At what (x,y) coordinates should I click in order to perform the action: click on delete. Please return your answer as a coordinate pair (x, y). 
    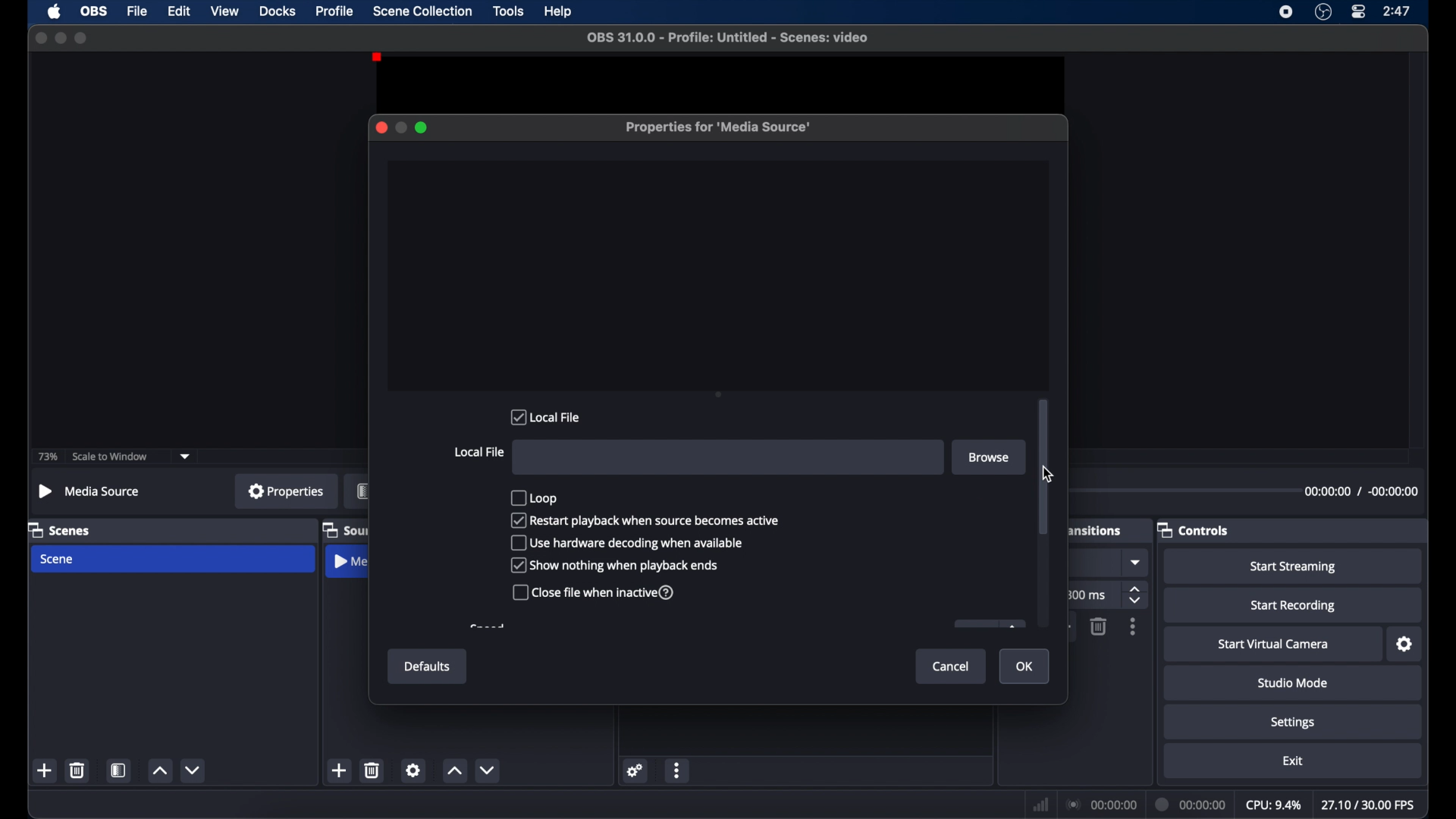
    Looking at the image, I should click on (77, 770).